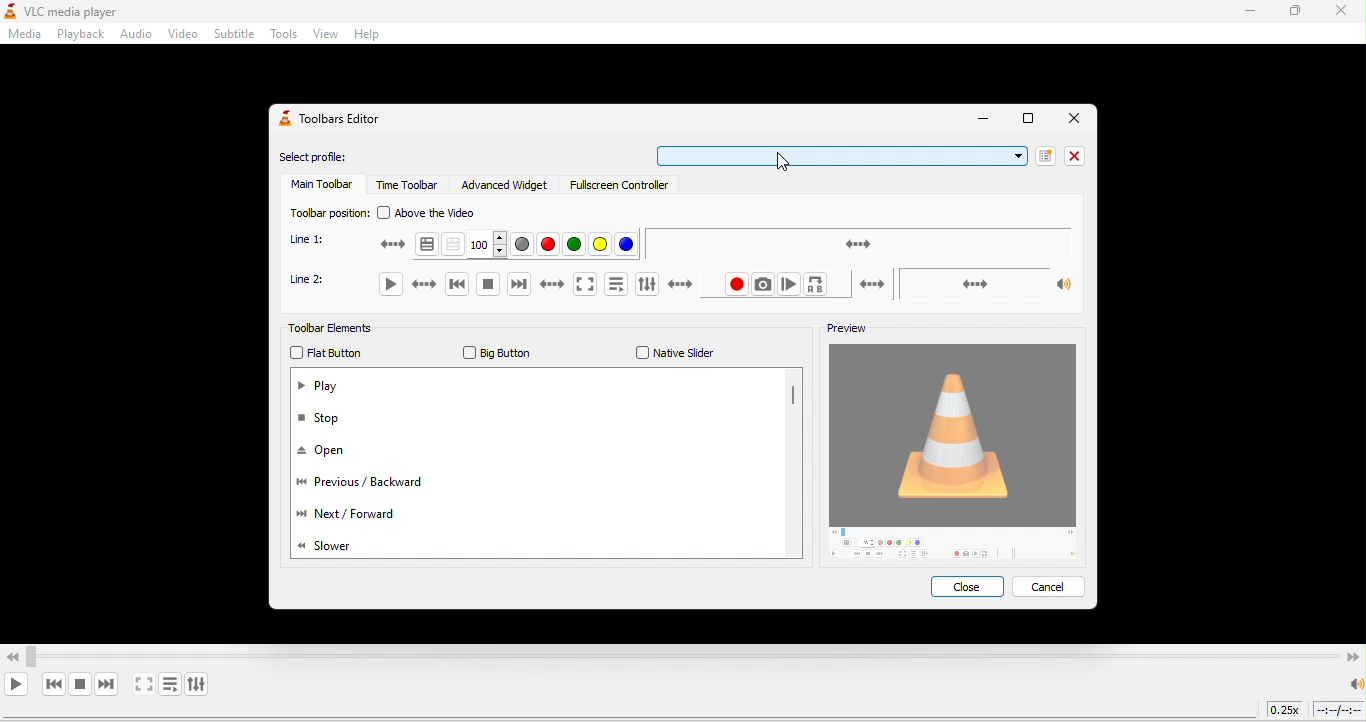 This screenshot has width=1366, height=722. Describe the element at coordinates (454, 244) in the screenshot. I see `toggle transparency` at that location.